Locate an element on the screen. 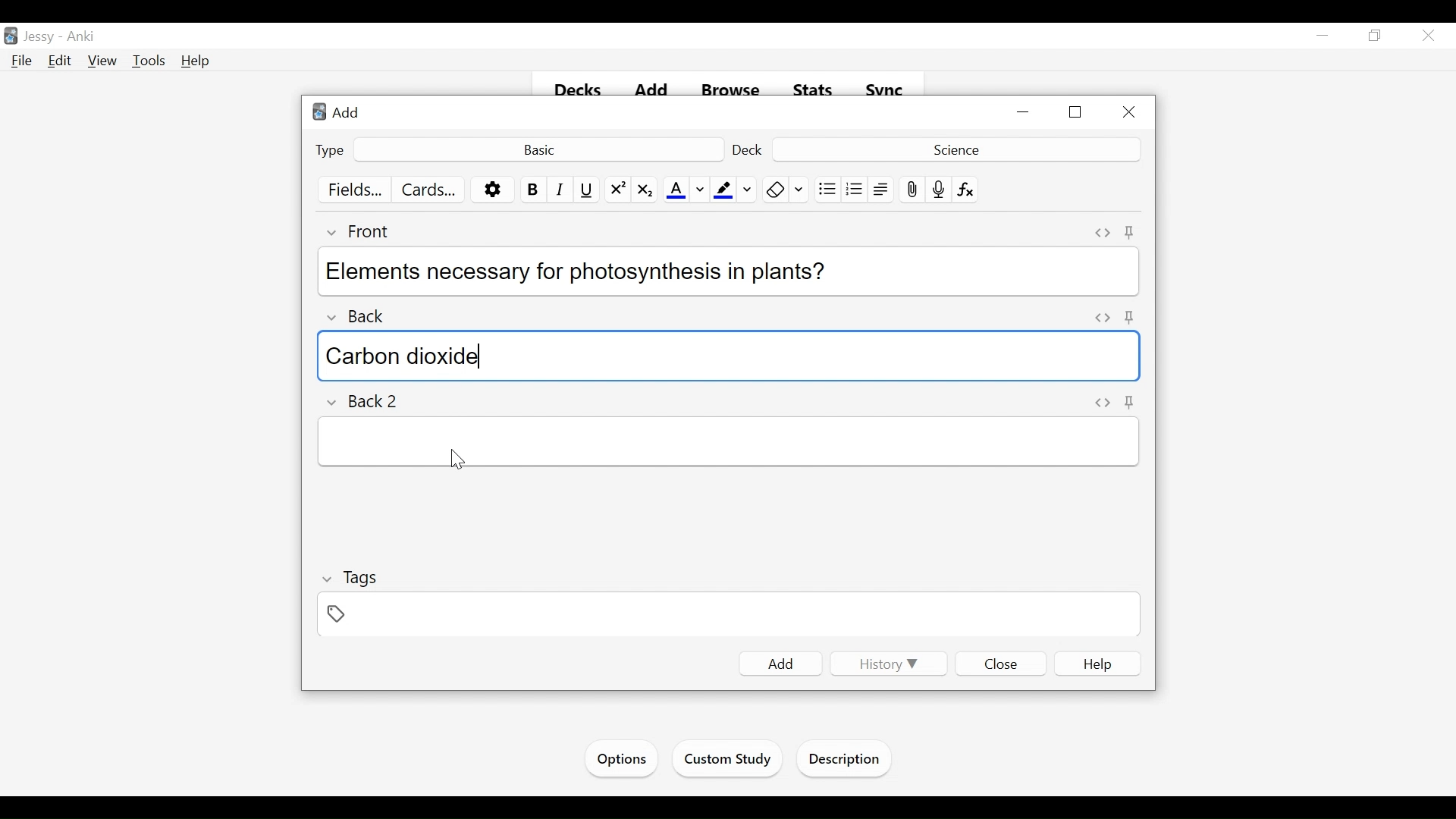 The width and height of the screenshot is (1456, 819). Back 2 is located at coordinates (370, 402).